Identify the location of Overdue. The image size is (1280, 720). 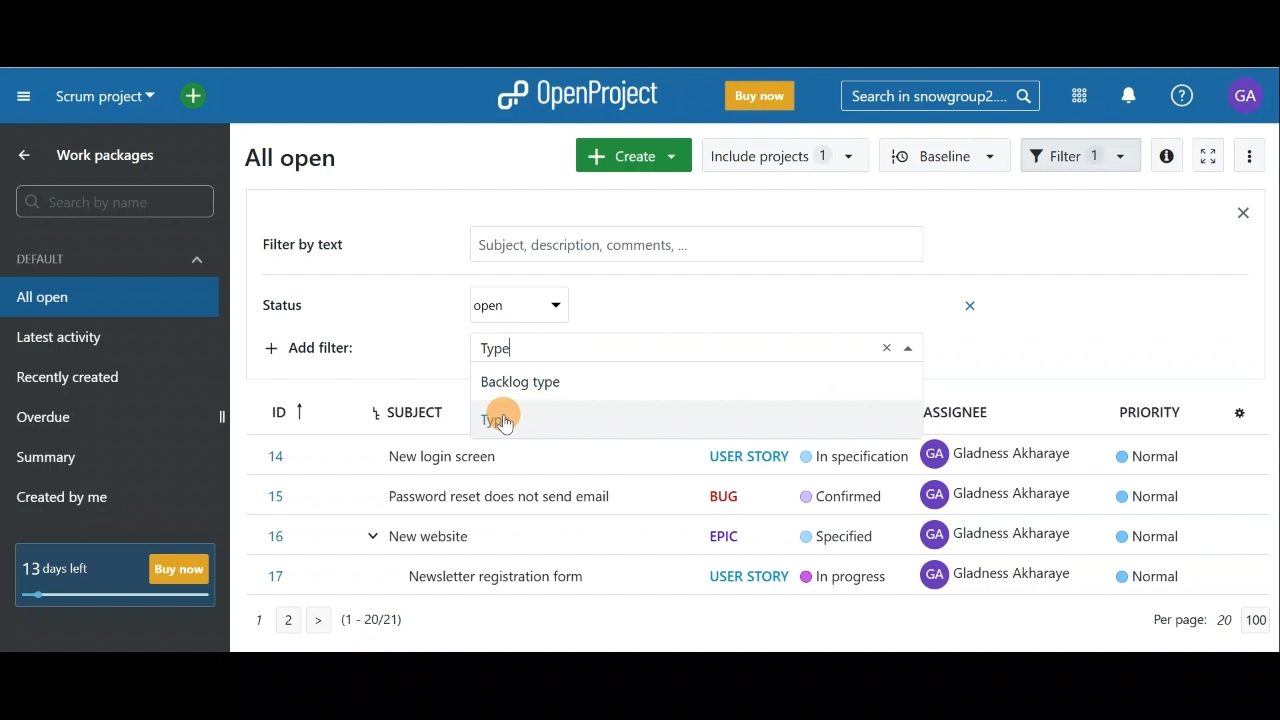
(46, 419).